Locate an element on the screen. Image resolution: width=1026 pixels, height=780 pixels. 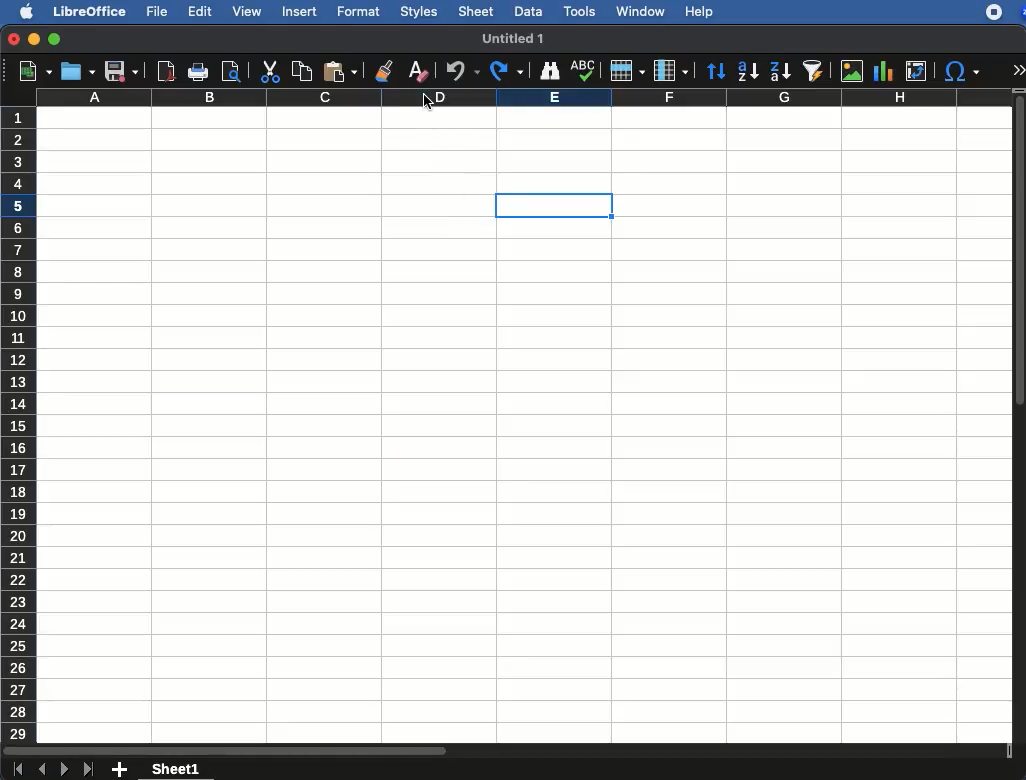
row is located at coordinates (627, 71).